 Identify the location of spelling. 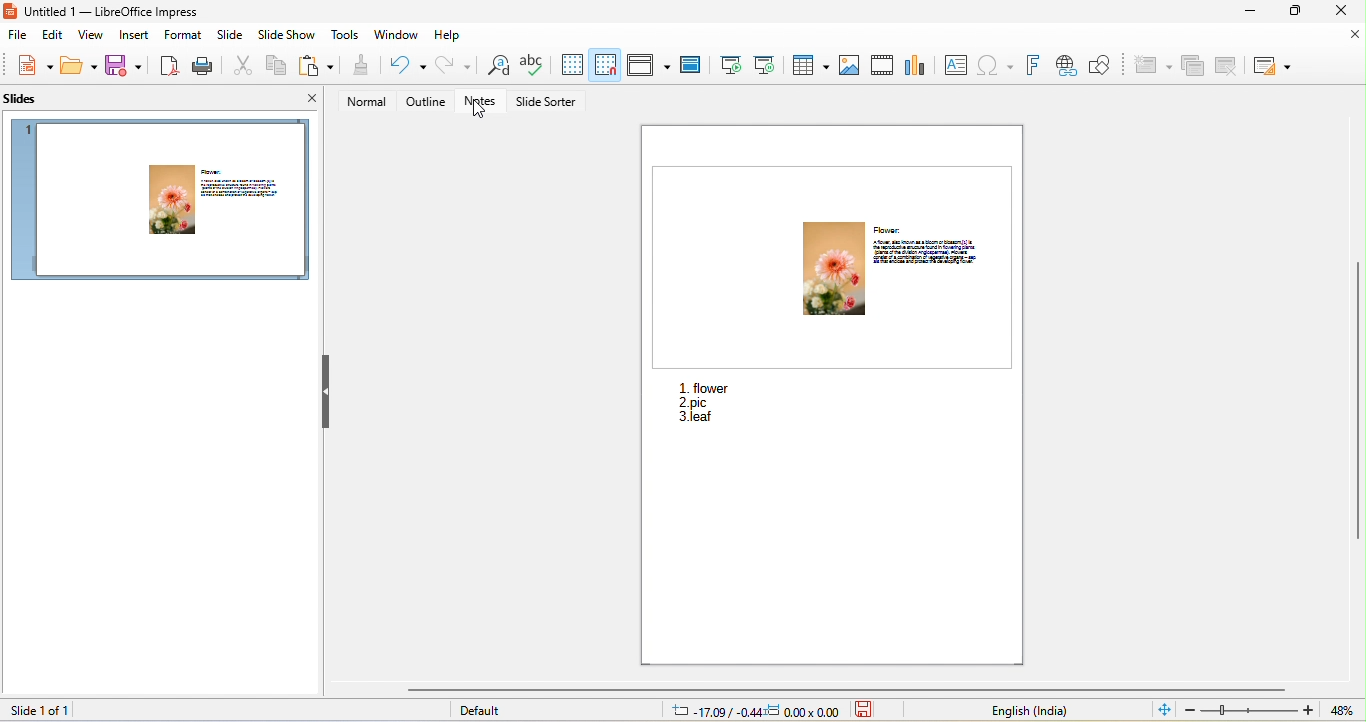
(531, 65).